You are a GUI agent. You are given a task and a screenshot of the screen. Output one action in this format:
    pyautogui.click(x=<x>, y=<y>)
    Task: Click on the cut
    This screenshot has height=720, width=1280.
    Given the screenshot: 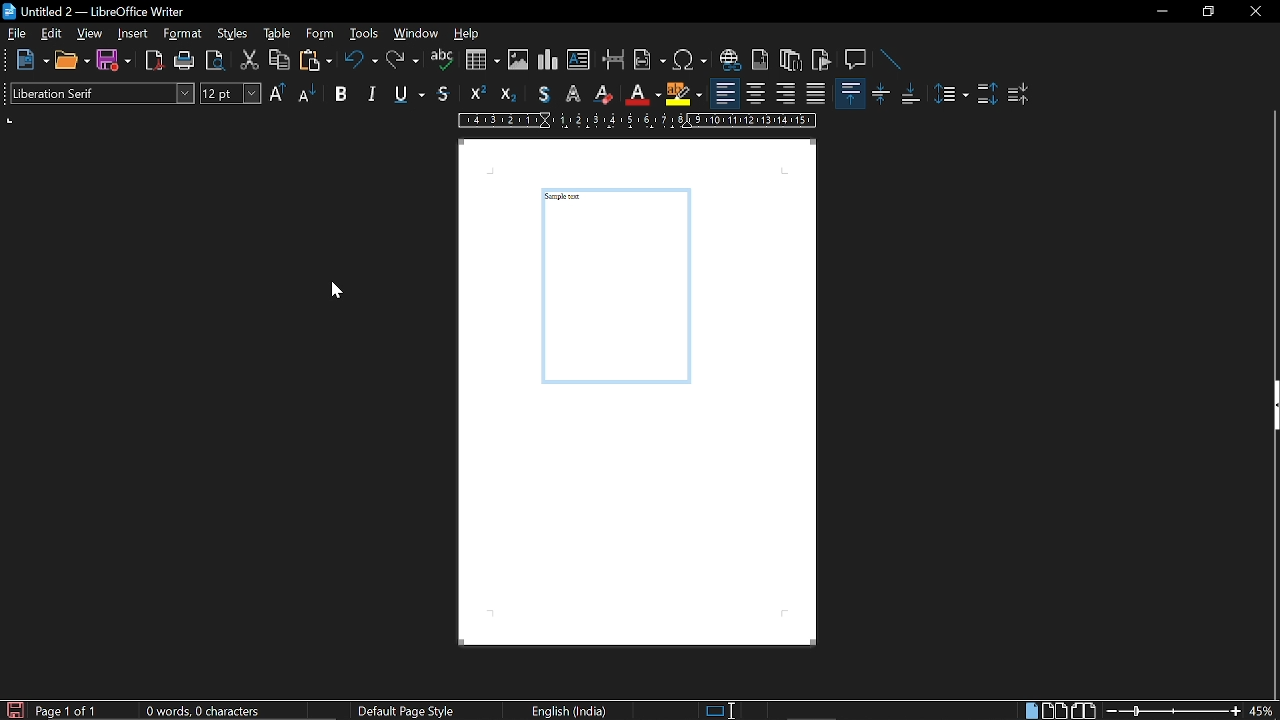 What is the action you would take?
    pyautogui.click(x=247, y=63)
    